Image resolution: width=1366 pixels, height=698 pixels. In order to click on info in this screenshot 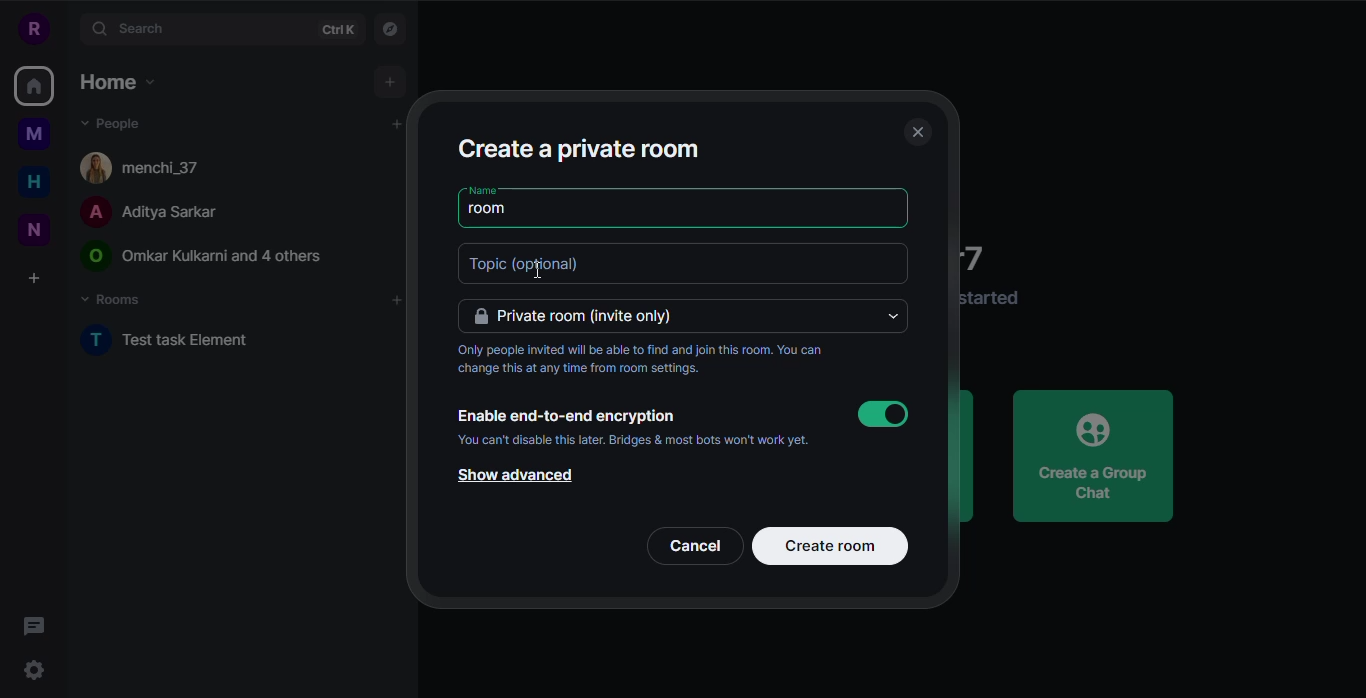, I will do `click(633, 440)`.